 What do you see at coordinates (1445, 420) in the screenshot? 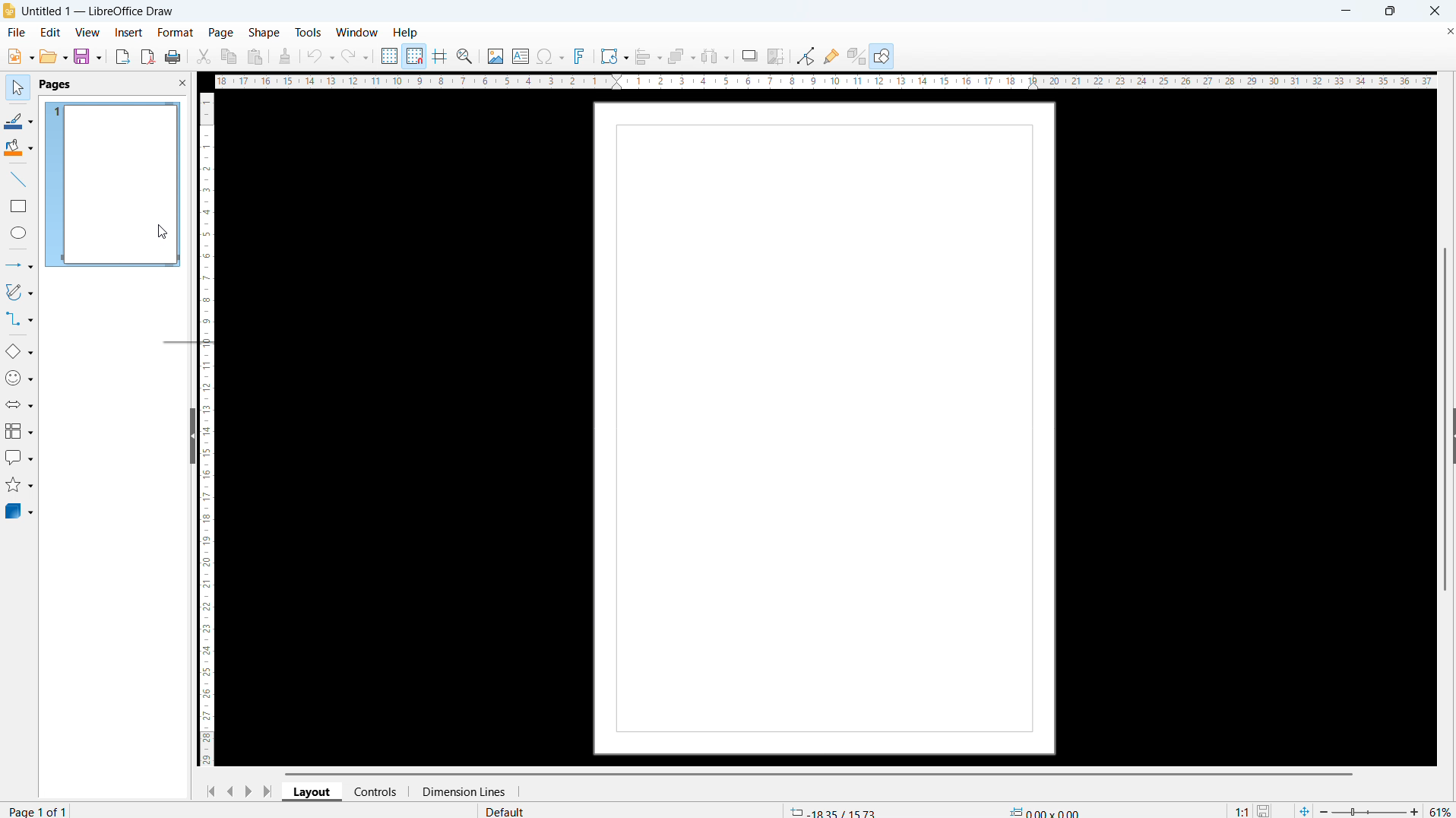
I see `vertical scrollbar` at bounding box center [1445, 420].